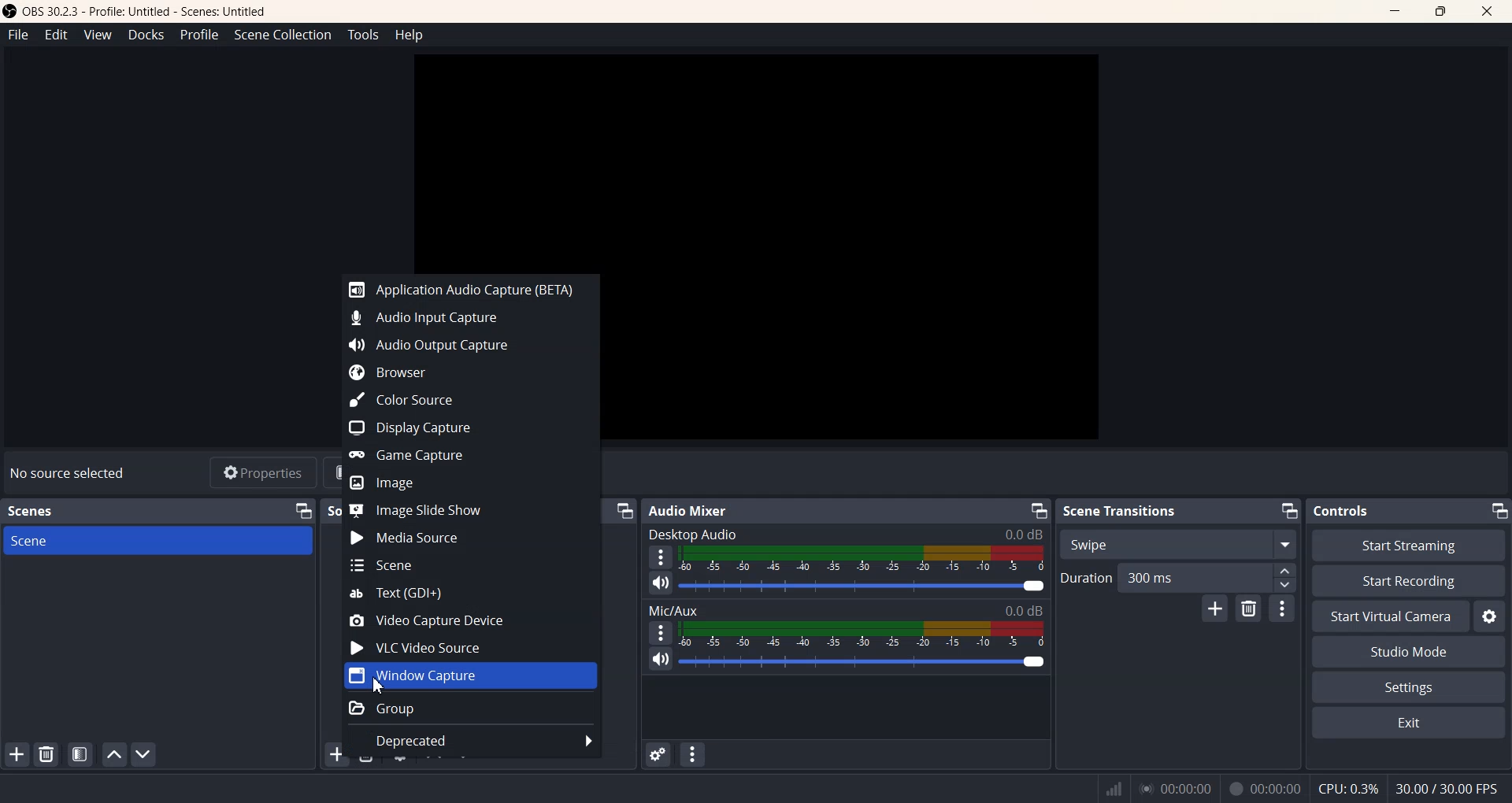 The image size is (1512, 803). What do you see at coordinates (1175, 787) in the screenshot?
I see `00:00:00` at bounding box center [1175, 787].